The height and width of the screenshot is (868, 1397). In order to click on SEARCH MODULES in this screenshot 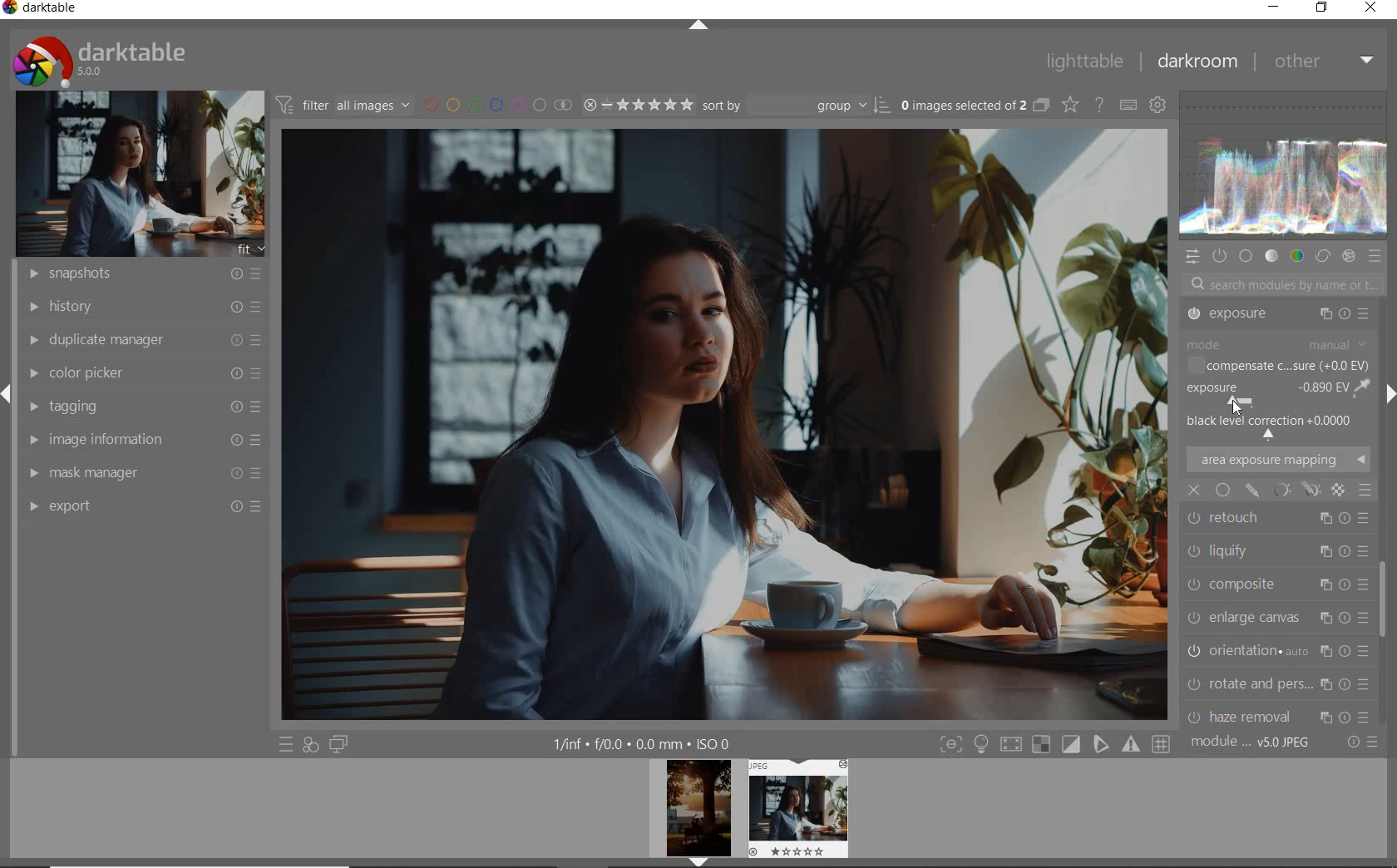, I will do `click(1283, 284)`.